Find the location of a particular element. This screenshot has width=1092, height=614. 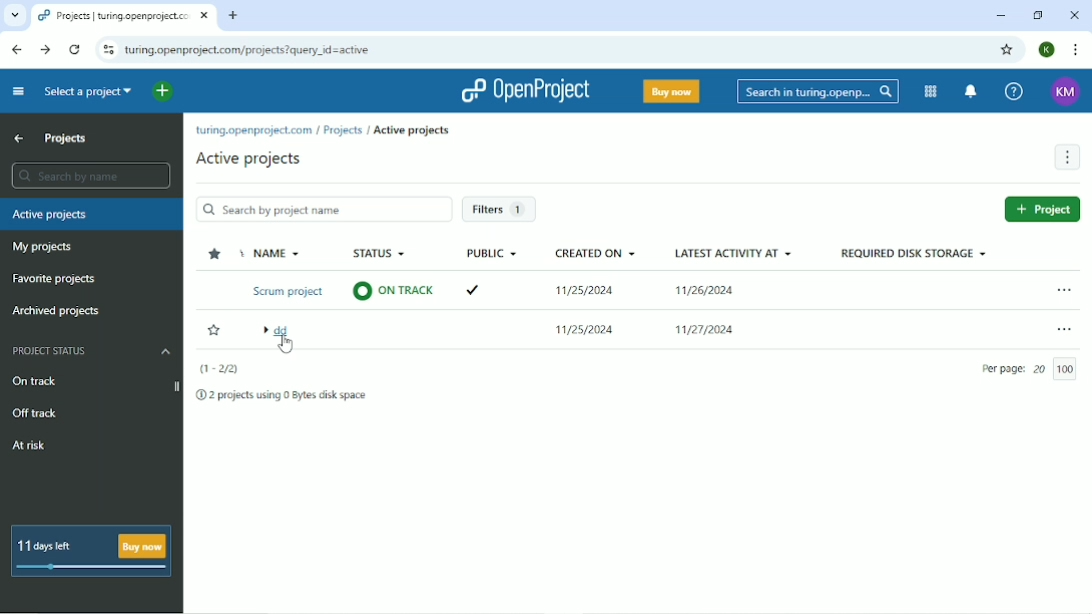

On track is located at coordinates (36, 381).